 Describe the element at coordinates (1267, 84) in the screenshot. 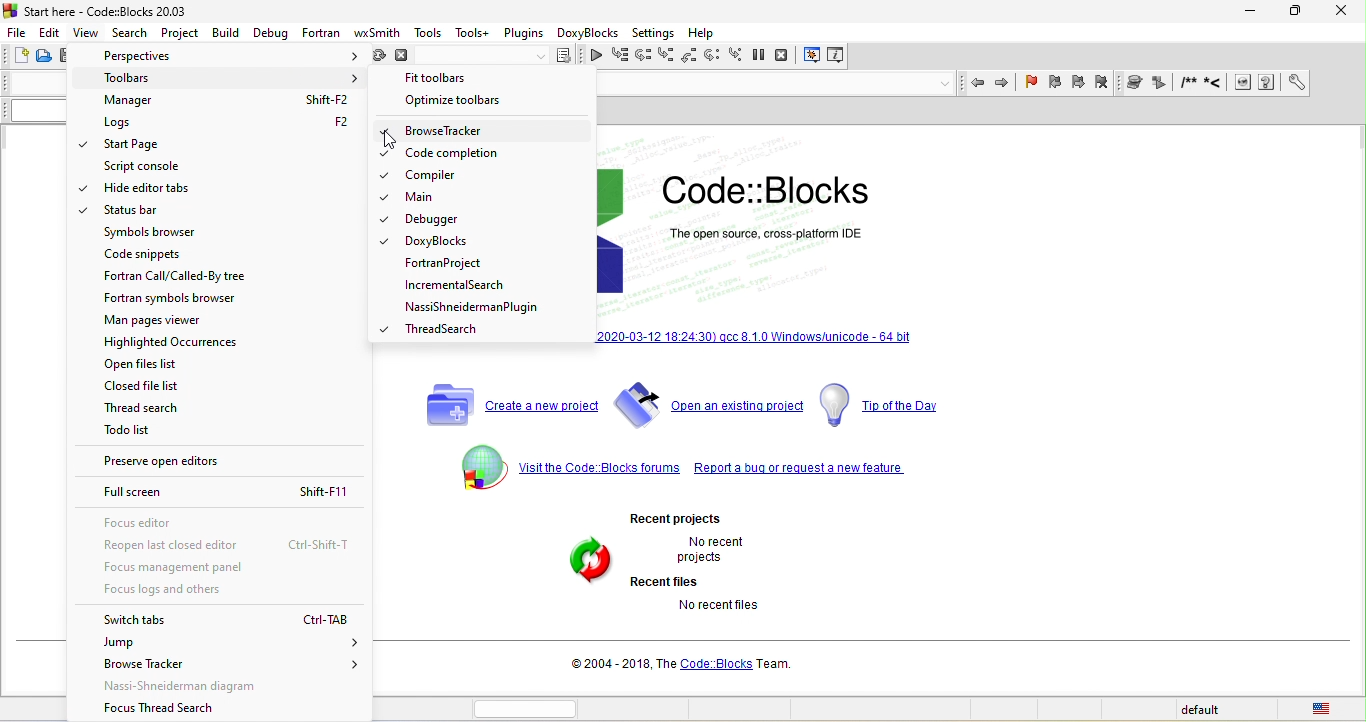

I see `run chm` at that location.